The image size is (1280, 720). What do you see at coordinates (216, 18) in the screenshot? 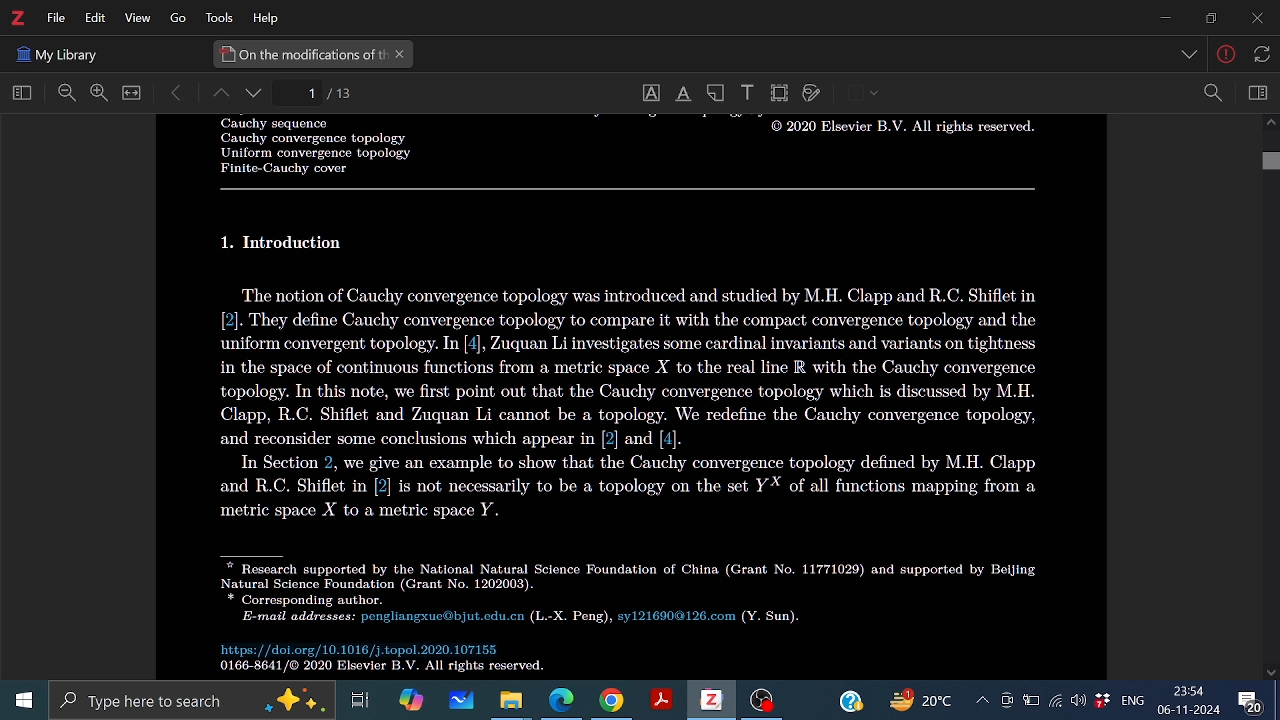
I see `Tools` at bounding box center [216, 18].